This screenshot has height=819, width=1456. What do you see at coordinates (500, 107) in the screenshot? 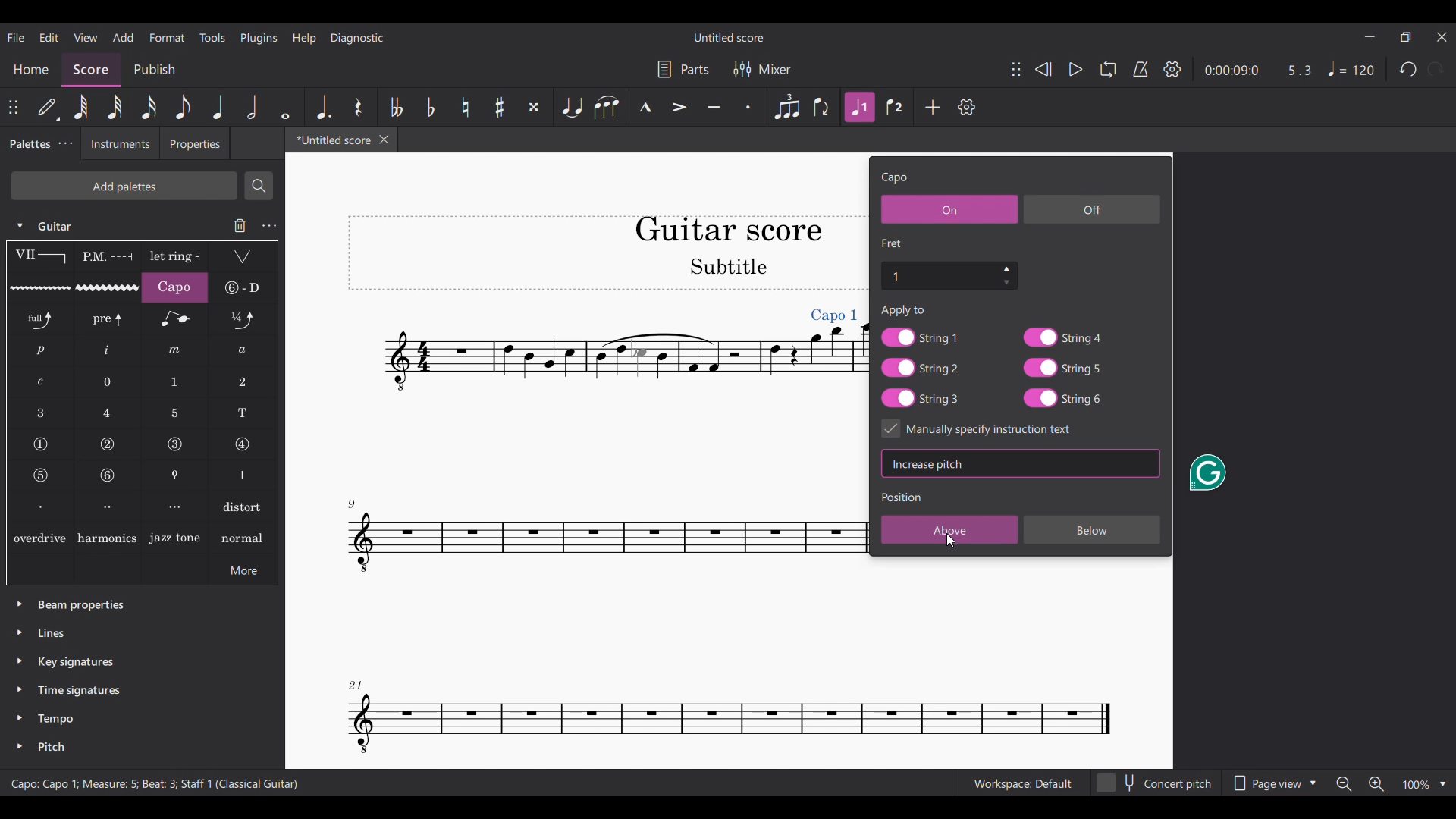
I see `Toggle sharp` at bounding box center [500, 107].